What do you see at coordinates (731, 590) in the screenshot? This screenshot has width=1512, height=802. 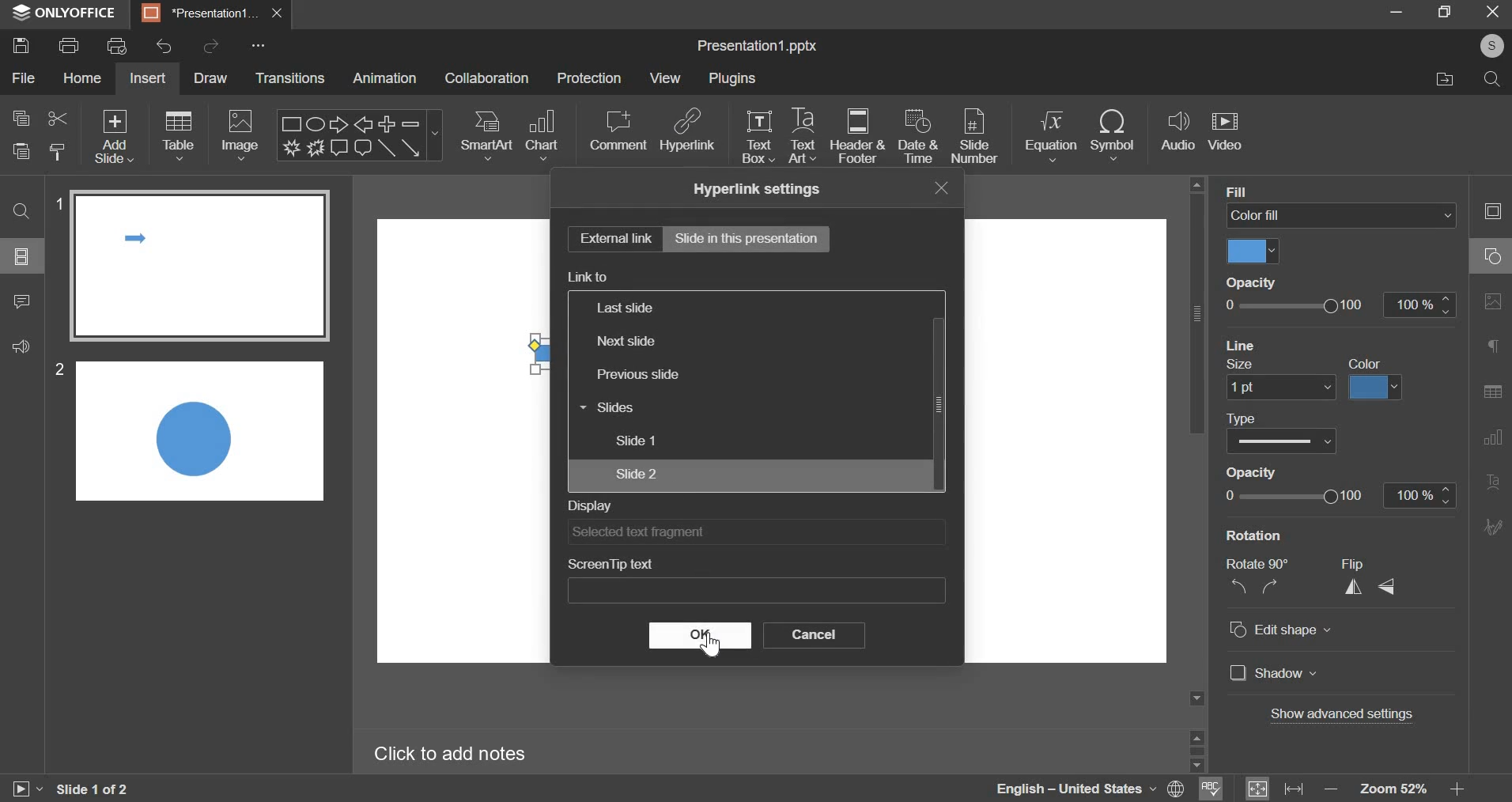 I see `input for screen tip text` at bounding box center [731, 590].